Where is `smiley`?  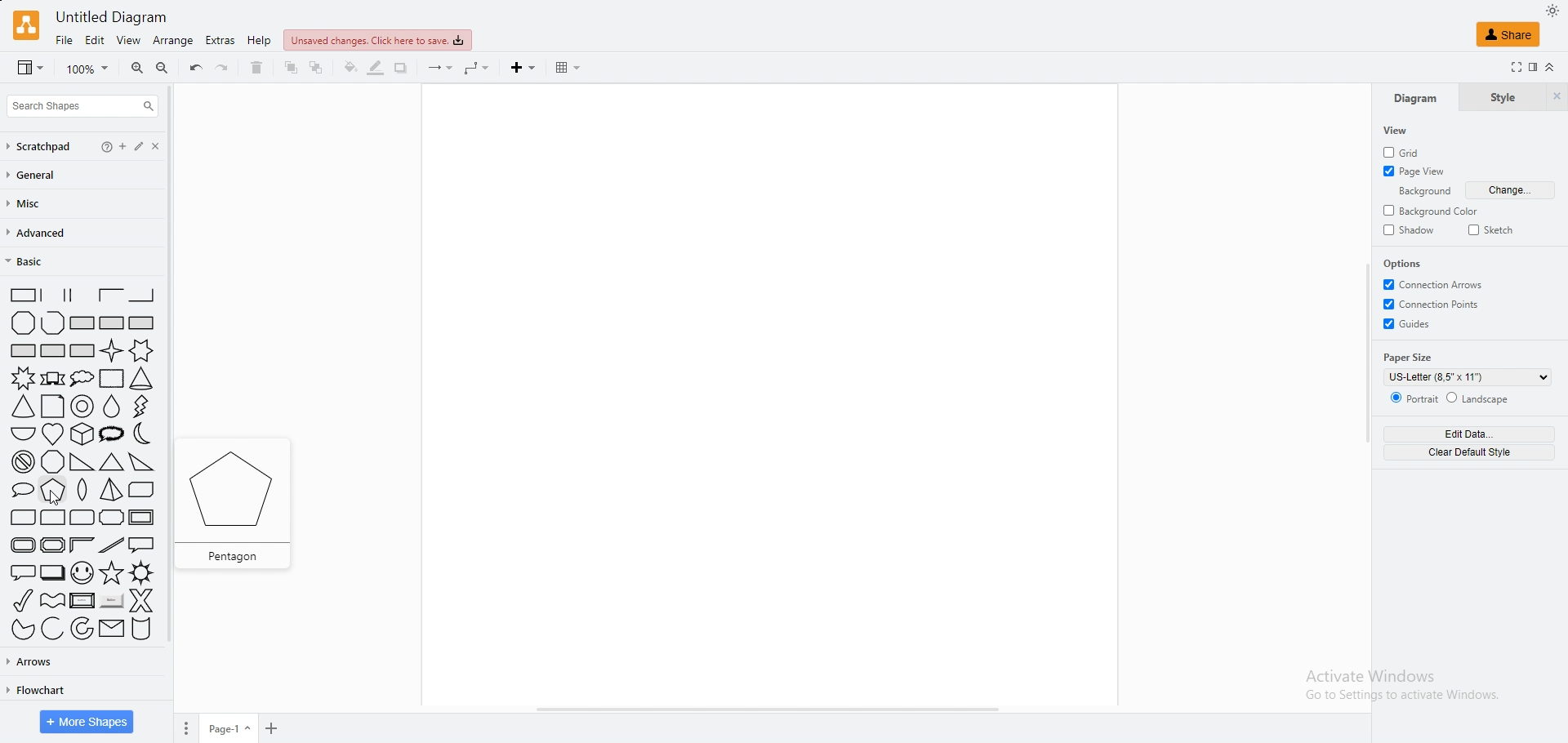 smiley is located at coordinates (82, 572).